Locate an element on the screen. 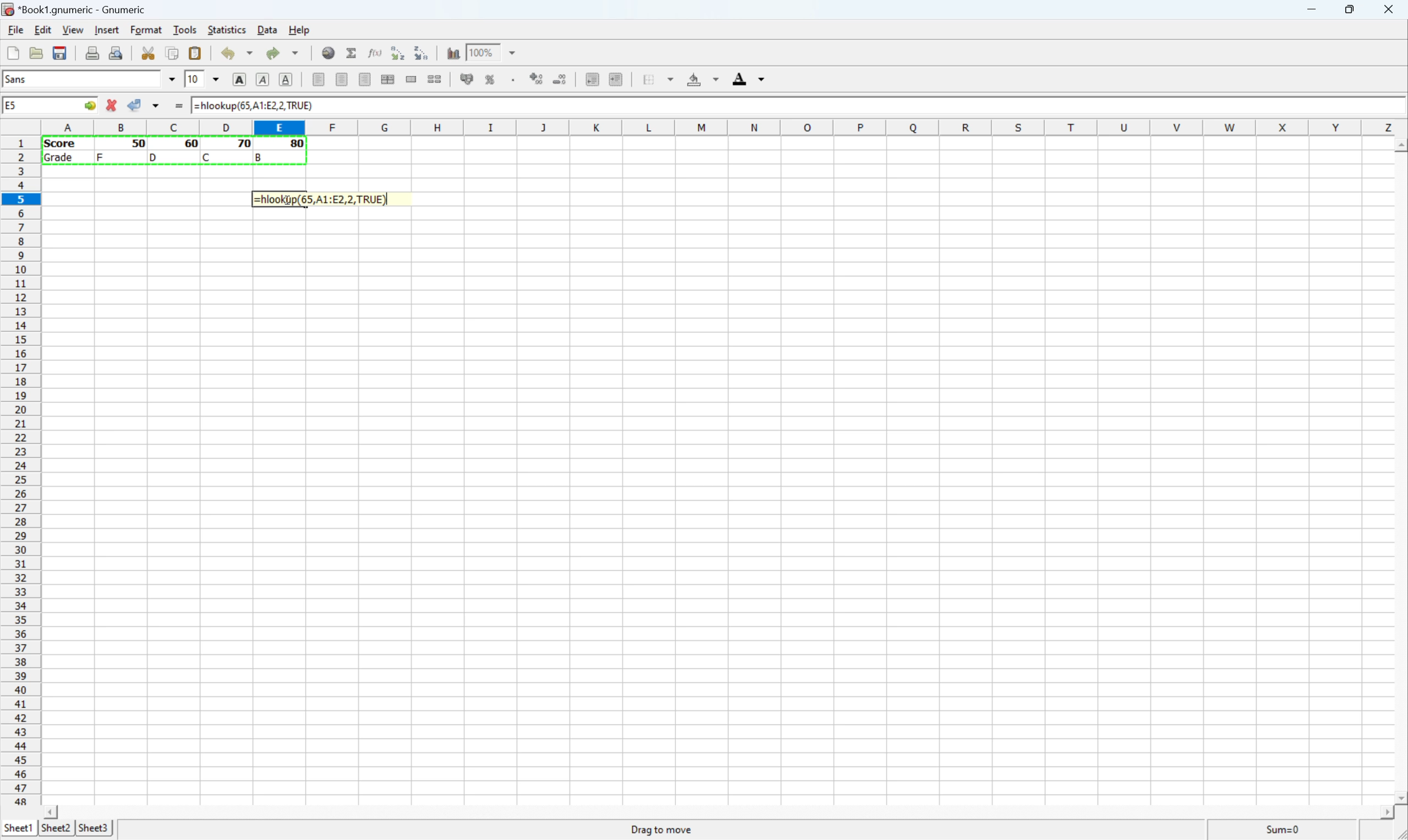 The width and height of the screenshot is (1408, 840). Sum=0 is located at coordinates (1286, 830).